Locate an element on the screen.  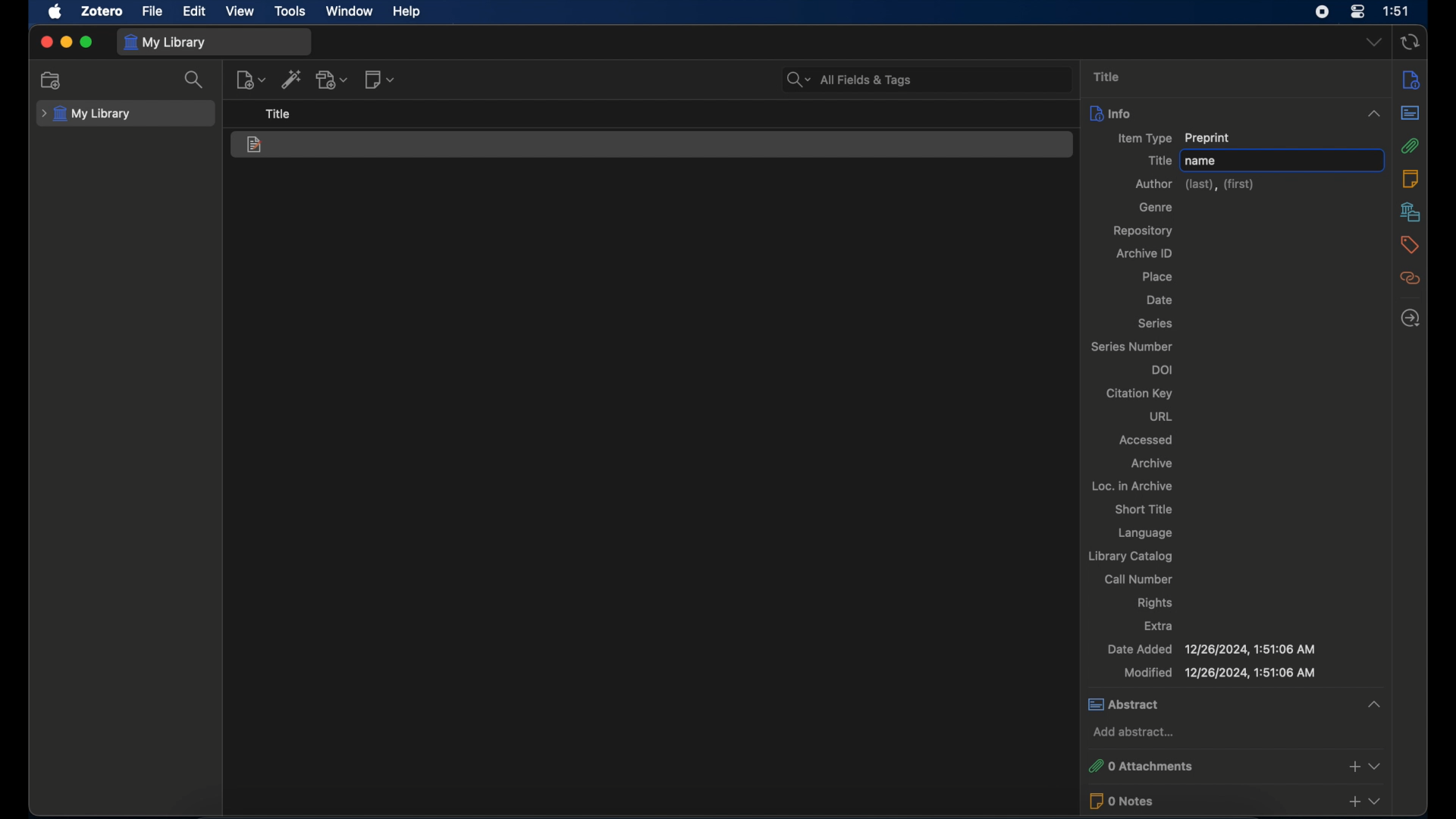
title is located at coordinates (1157, 160).